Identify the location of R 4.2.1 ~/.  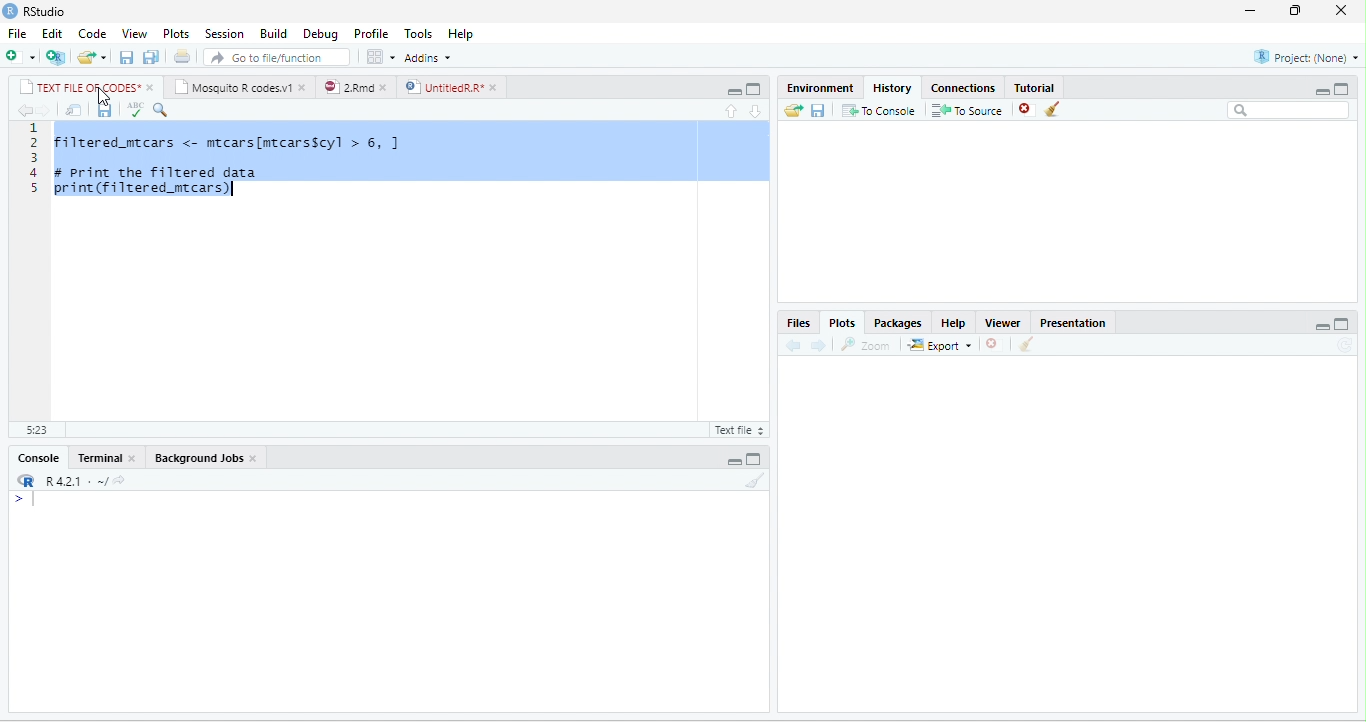
(73, 481).